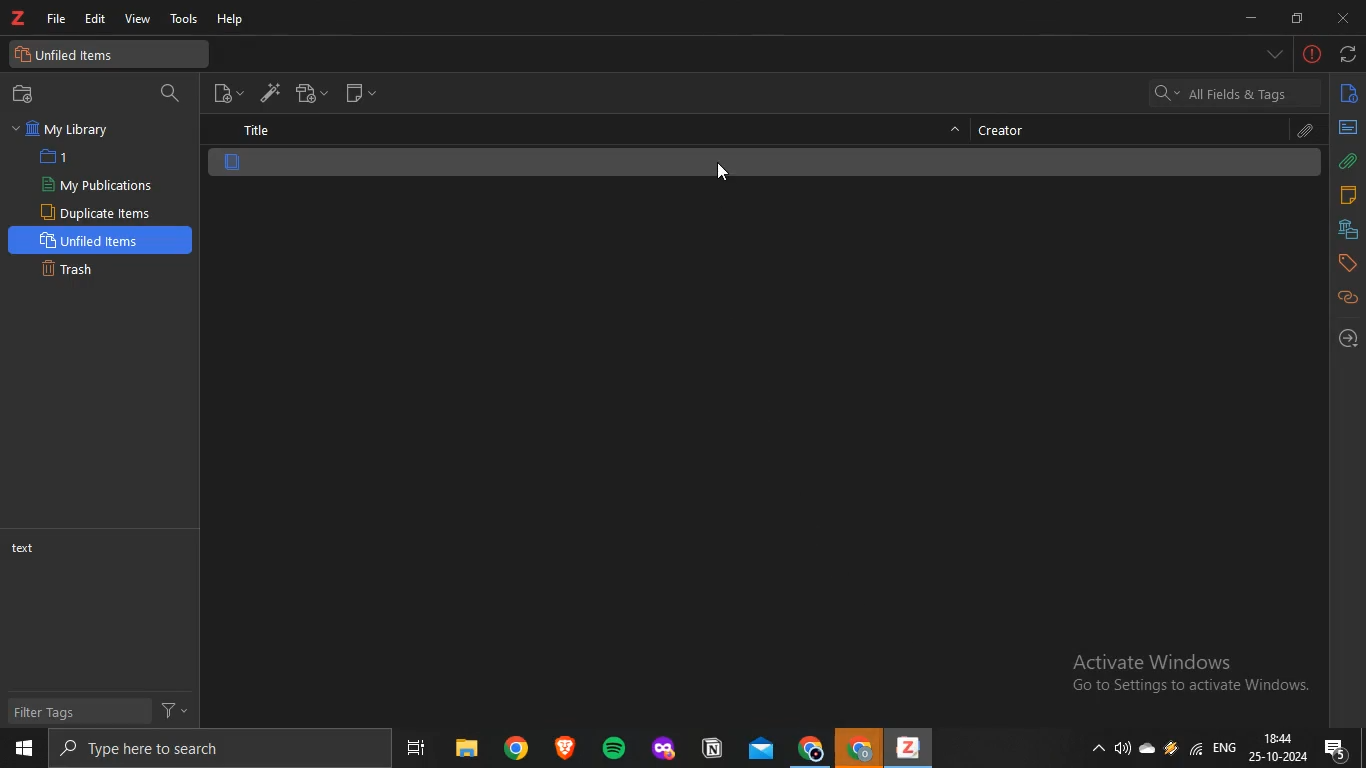 This screenshot has height=768, width=1366. Describe the element at coordinates (757, 748) in the screenshot. I see `mail` at that location.